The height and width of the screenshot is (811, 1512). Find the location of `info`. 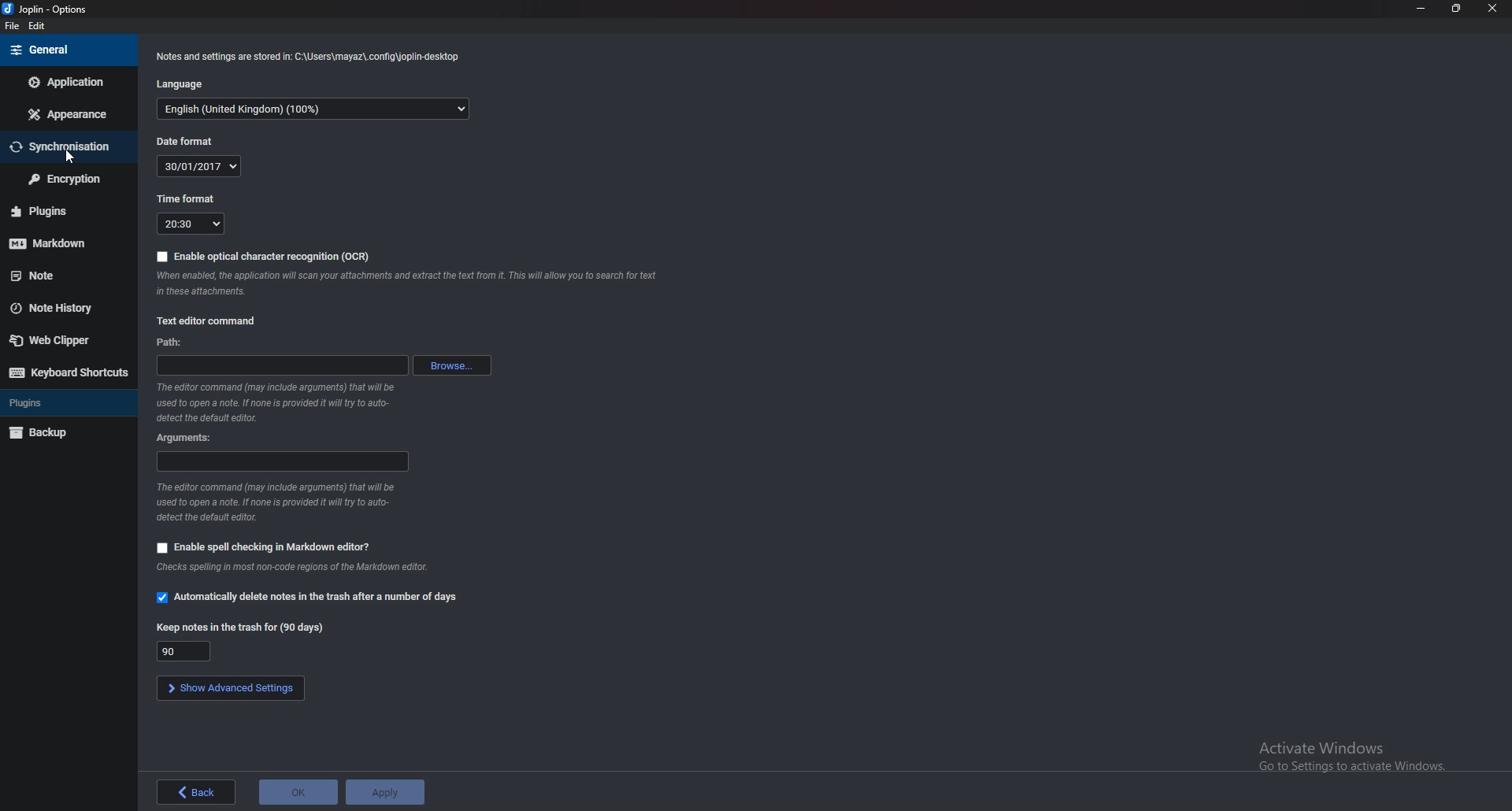

info is located at coordinates (276, 402).